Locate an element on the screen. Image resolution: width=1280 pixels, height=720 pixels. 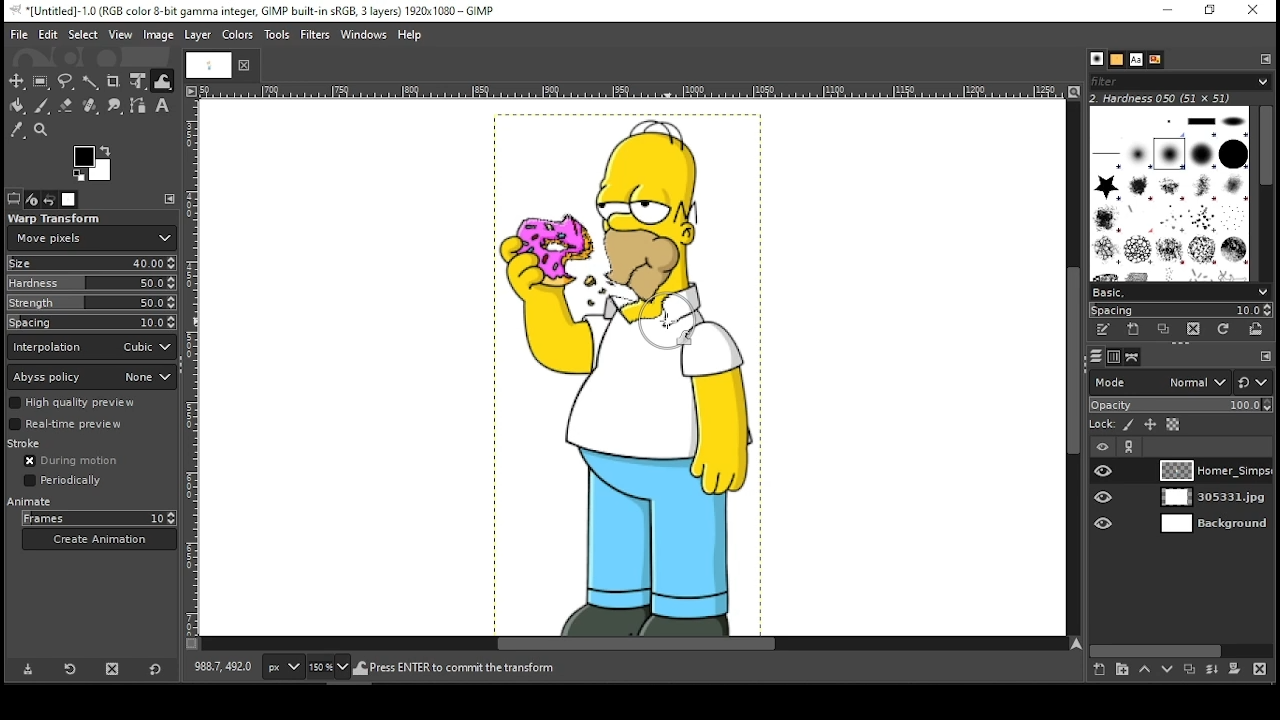
unified transform tool is located at coordinates (140, 82).